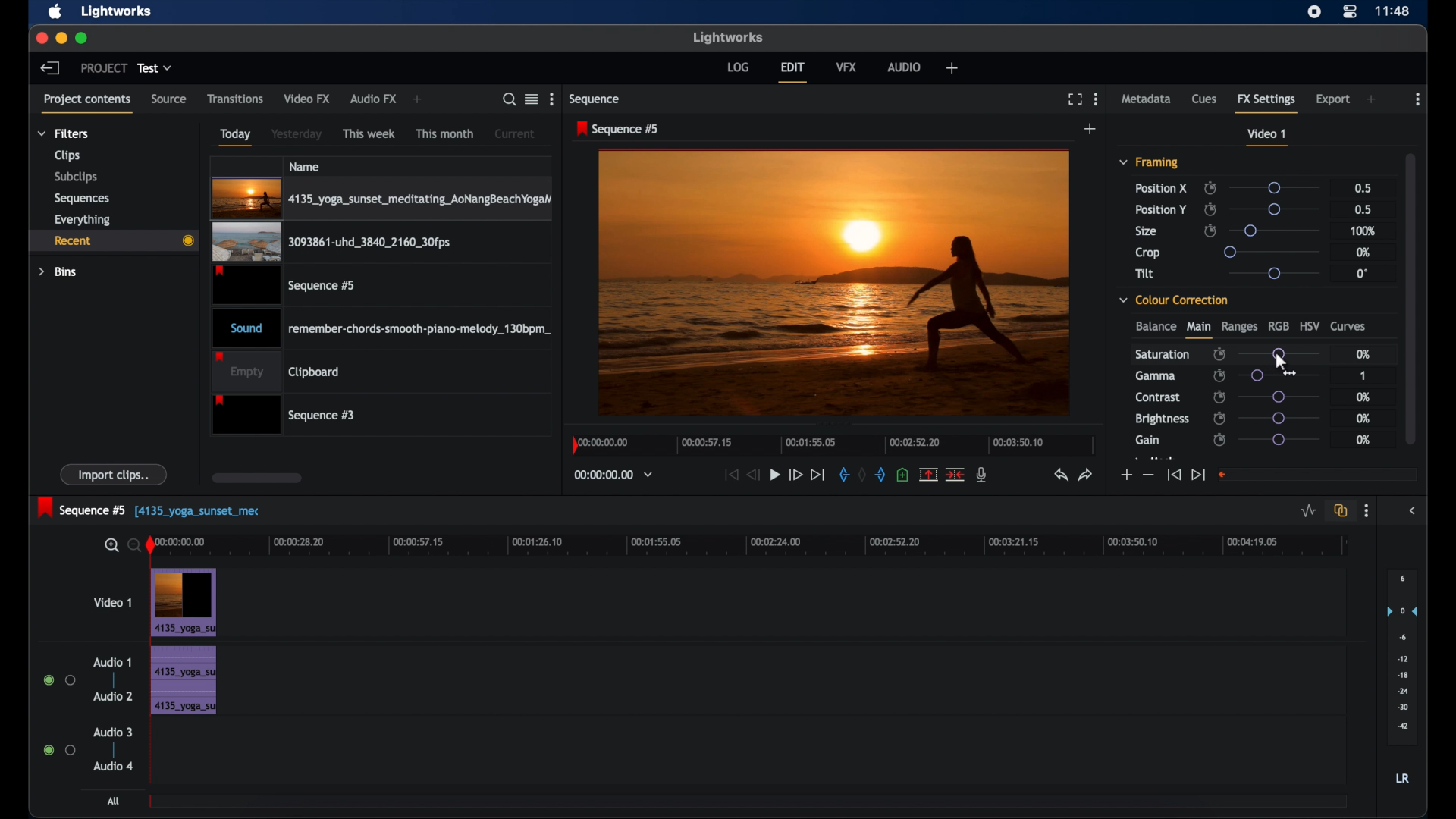 This screenshot has height=819, width=1456. What do you see at coordinates (56, 12) in the screenshot?
I see `apple icon` at bounding box center [56, 12].